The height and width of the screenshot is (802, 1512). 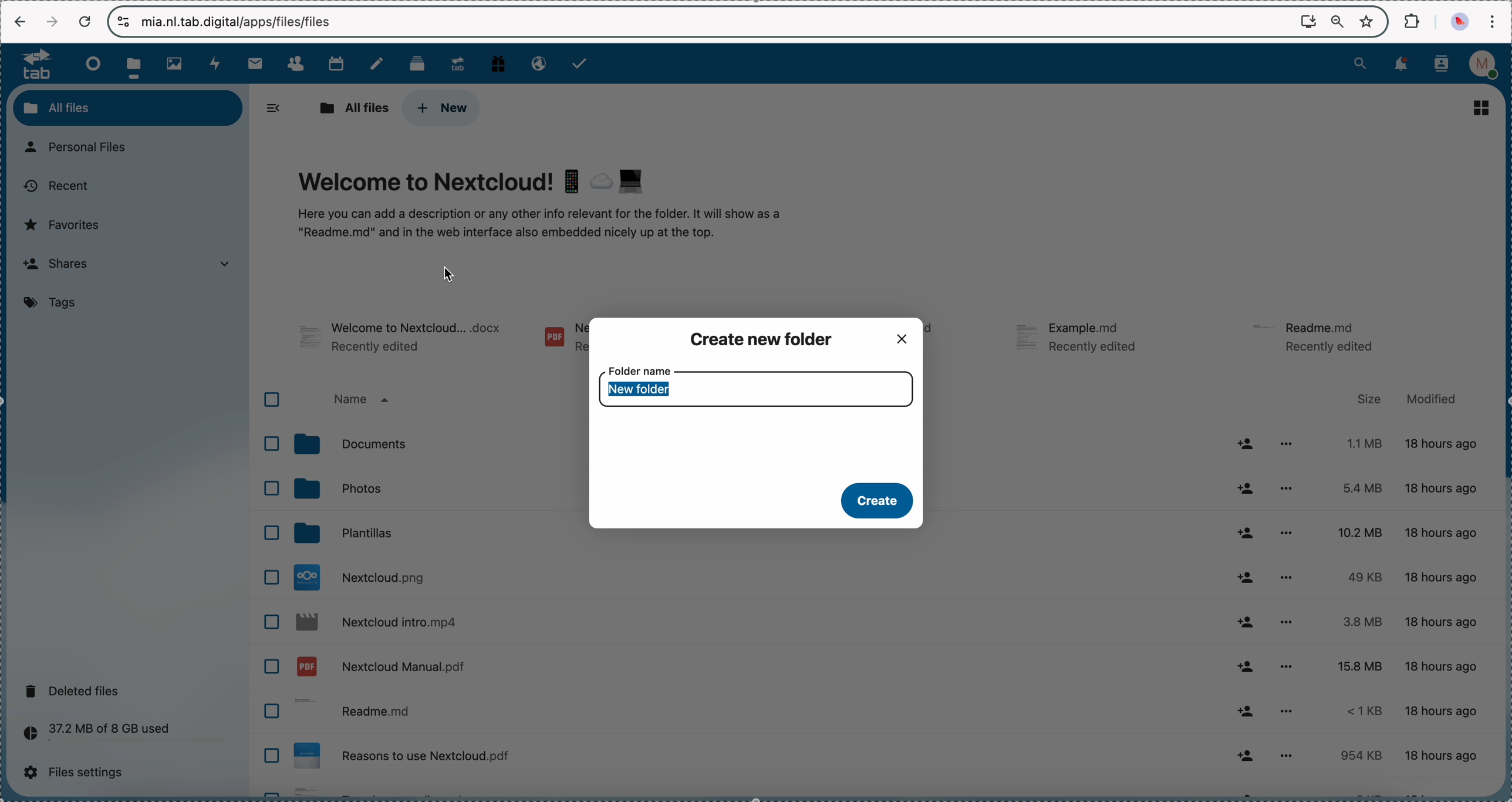 What do you see at coordinates (55, 187) in the screenshot?
I see `recent` at bounding box center [55, 187].